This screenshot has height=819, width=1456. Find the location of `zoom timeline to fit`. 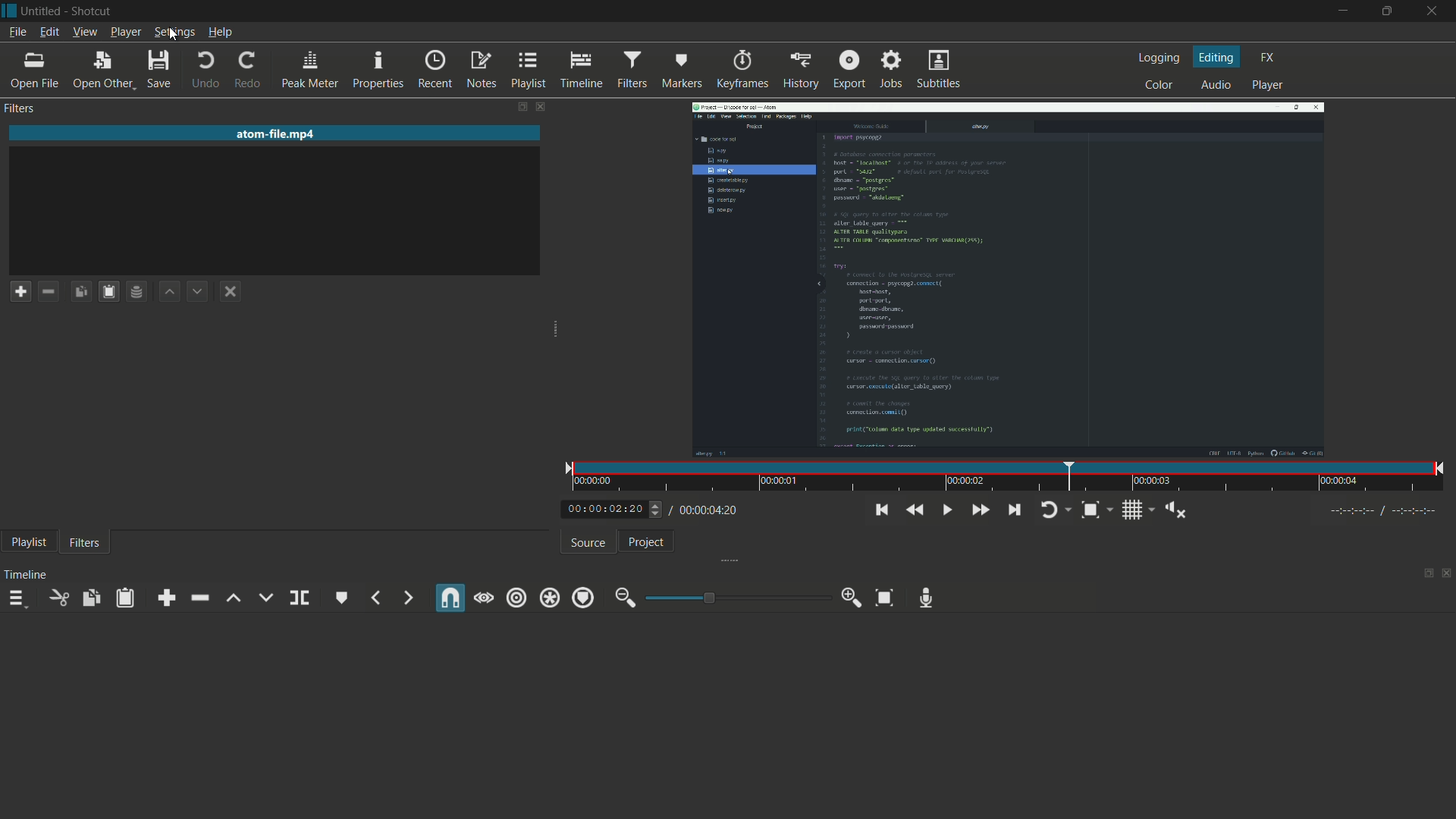

zoom timeline to fit is located at coordinates (884, 598).